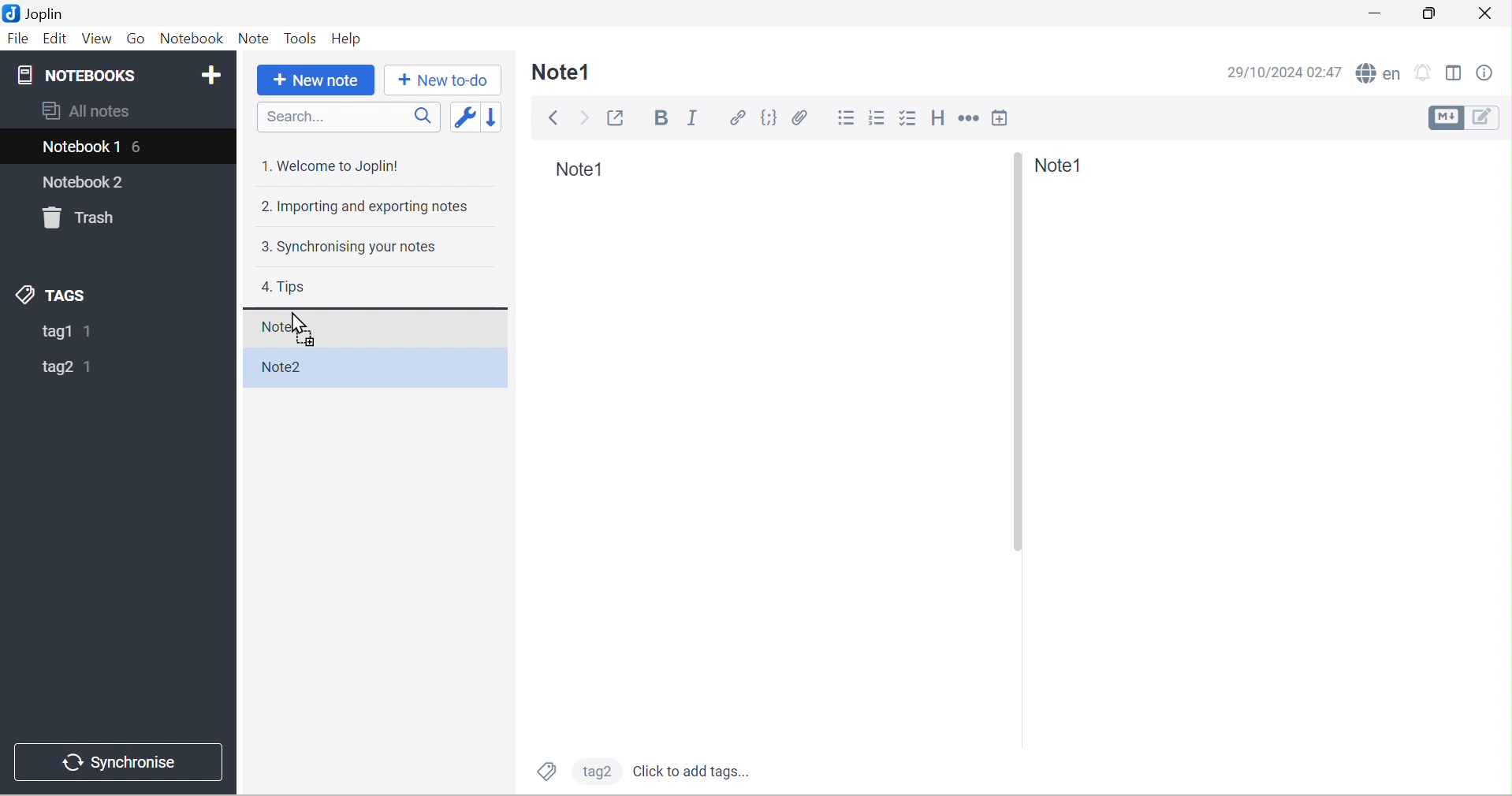 The height and width of the screenshot is (796, 1512). What do you see at coordinates (88, 110) in the screenshot?
I see `All notes` at bounding box center [88, 110].